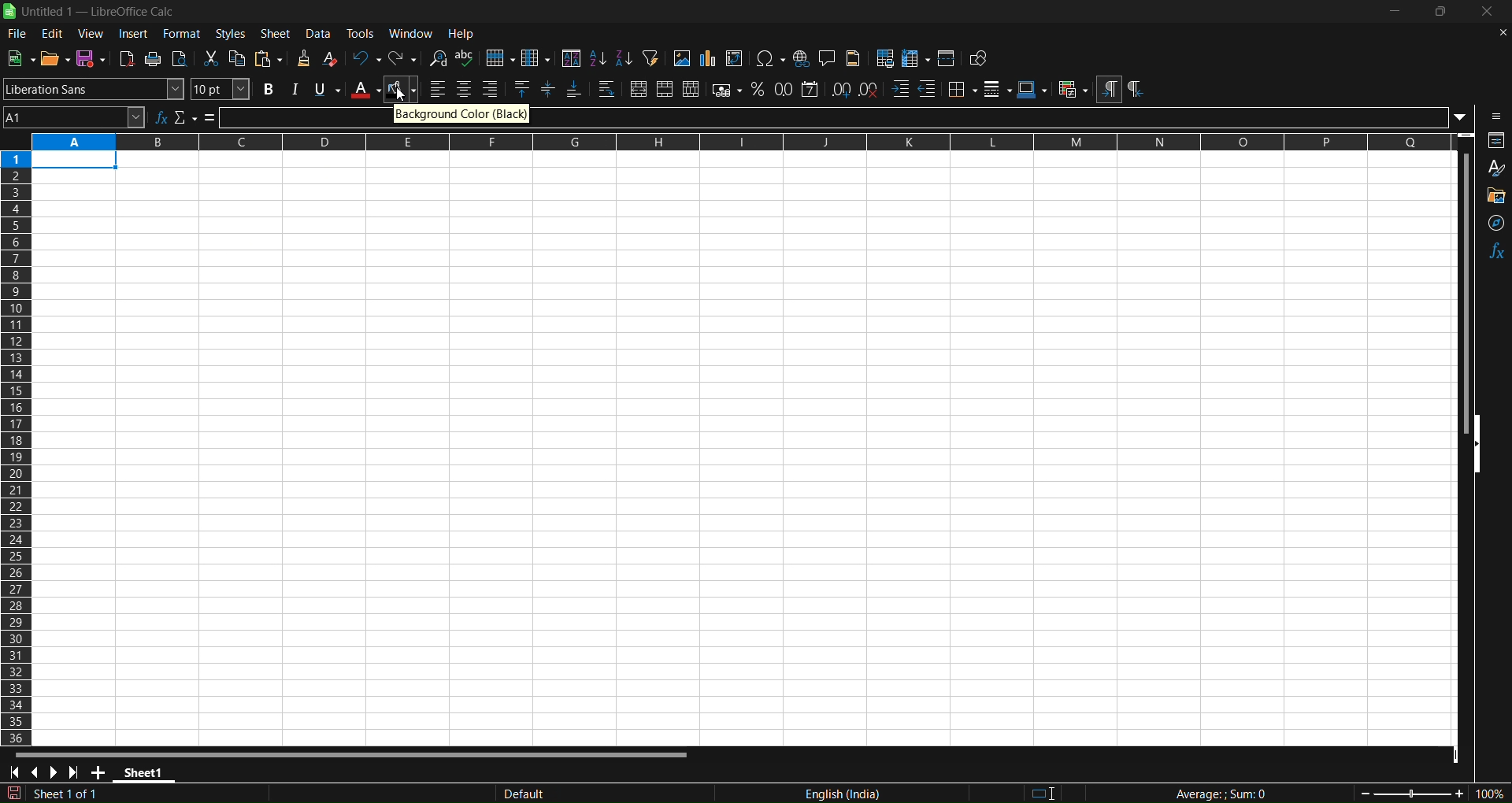 The height and width of the screenshot is (803, 1512). Describe the element at coordinates (734, 57) in the screenshot. I see `insert or edit piovt table` at that location.